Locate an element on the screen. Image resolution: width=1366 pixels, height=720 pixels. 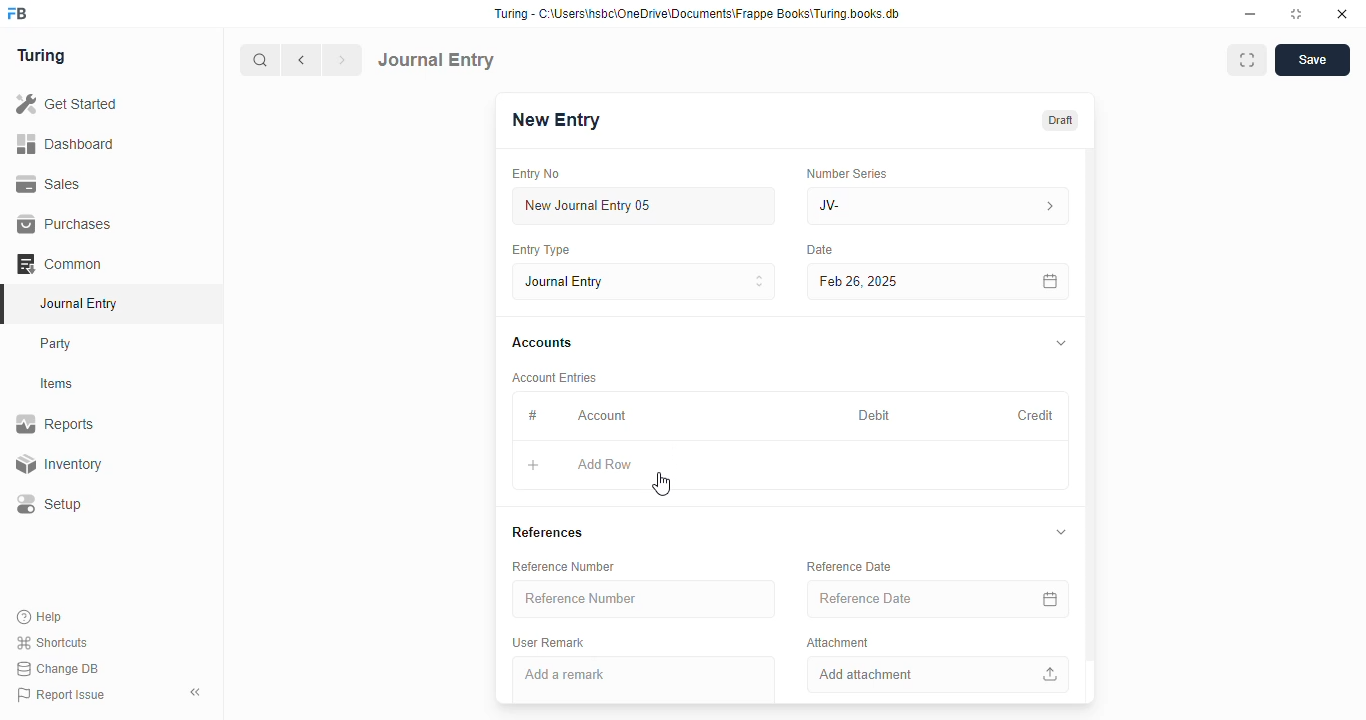
cursor is located at coordinates (661, 484).